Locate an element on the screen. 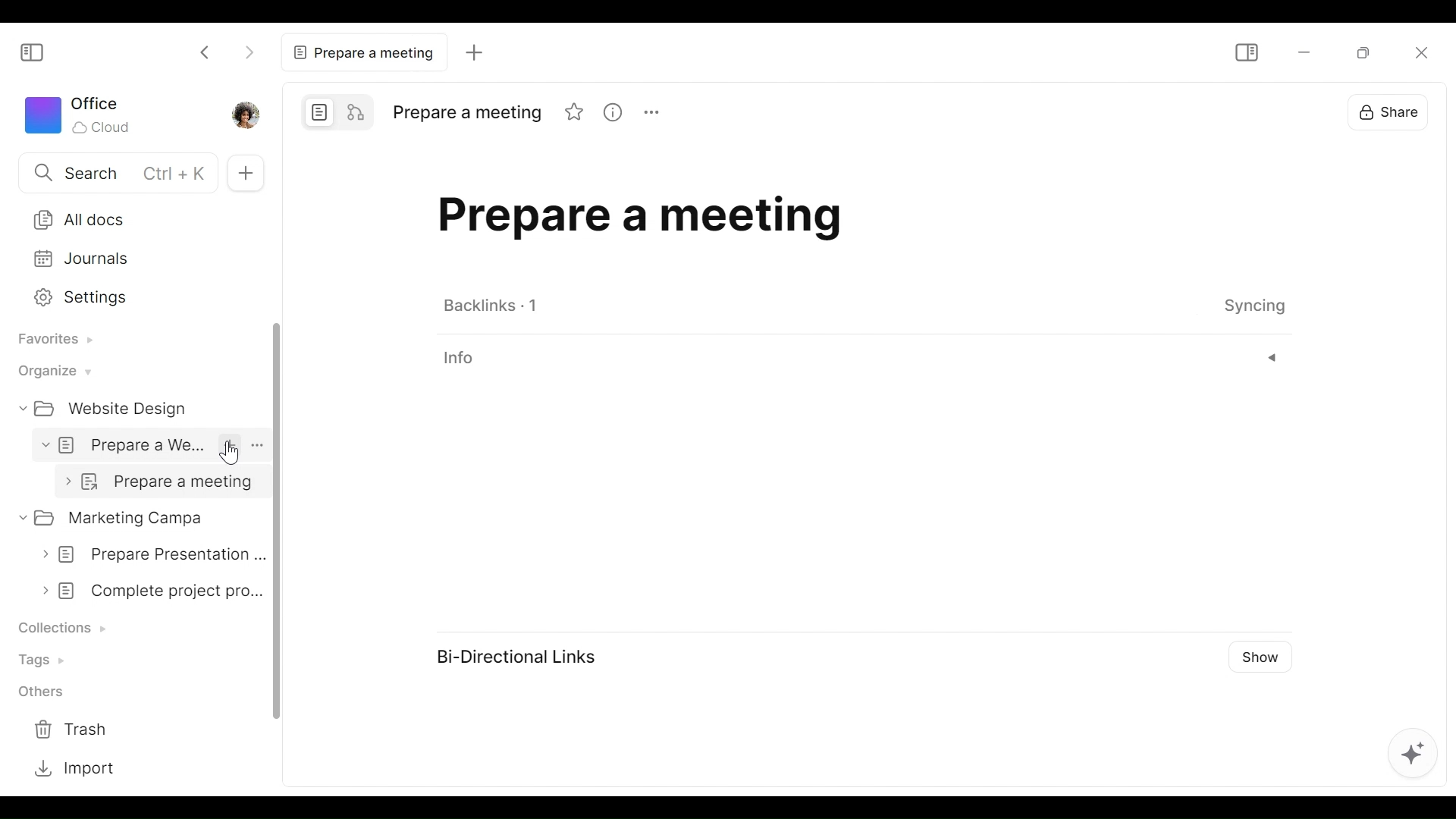 The width and height of the screenshot is (1456, 819). New is located at coordinates (245, 173).